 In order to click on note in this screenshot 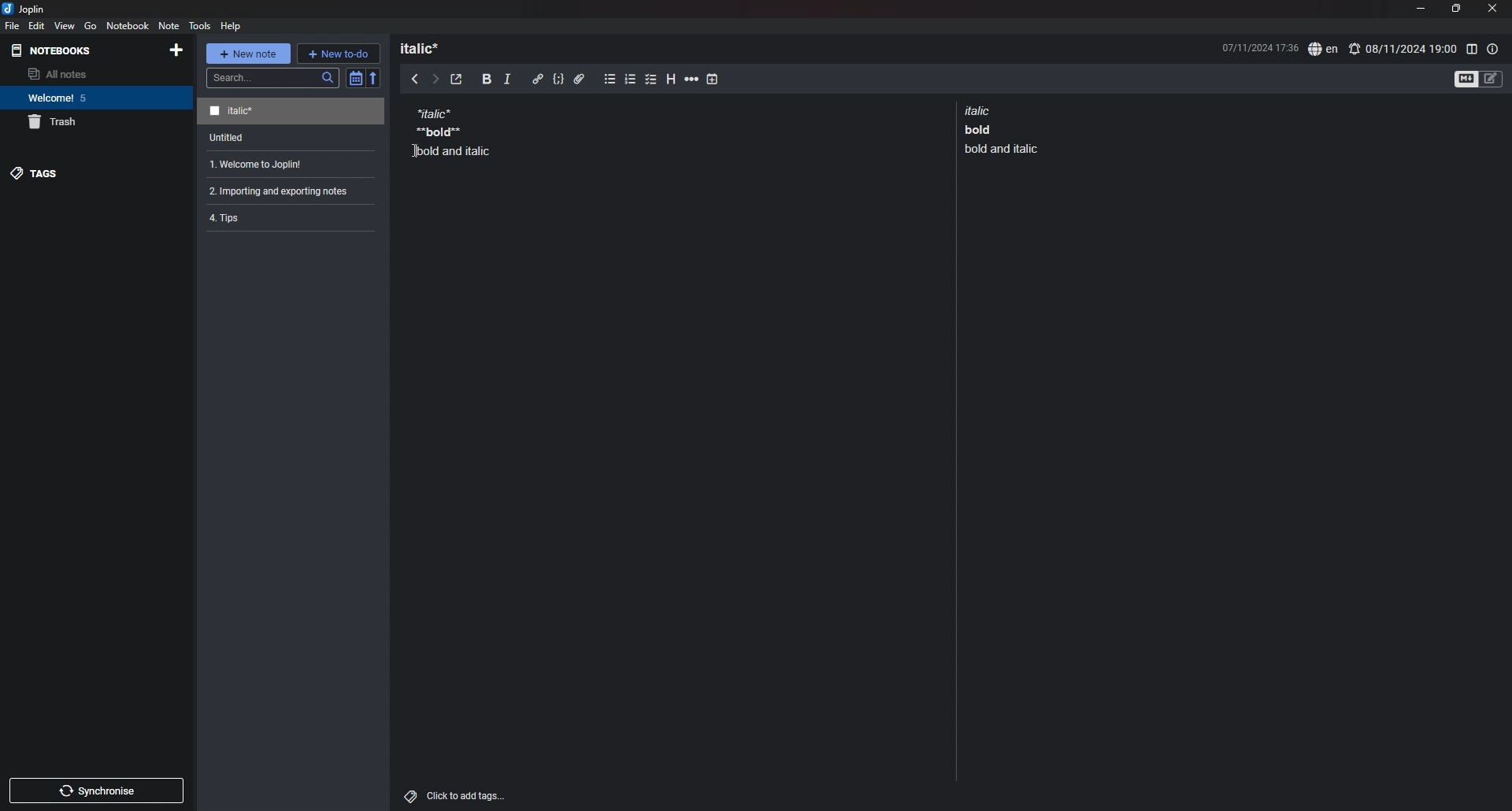, I will do `click(287, 165)`.